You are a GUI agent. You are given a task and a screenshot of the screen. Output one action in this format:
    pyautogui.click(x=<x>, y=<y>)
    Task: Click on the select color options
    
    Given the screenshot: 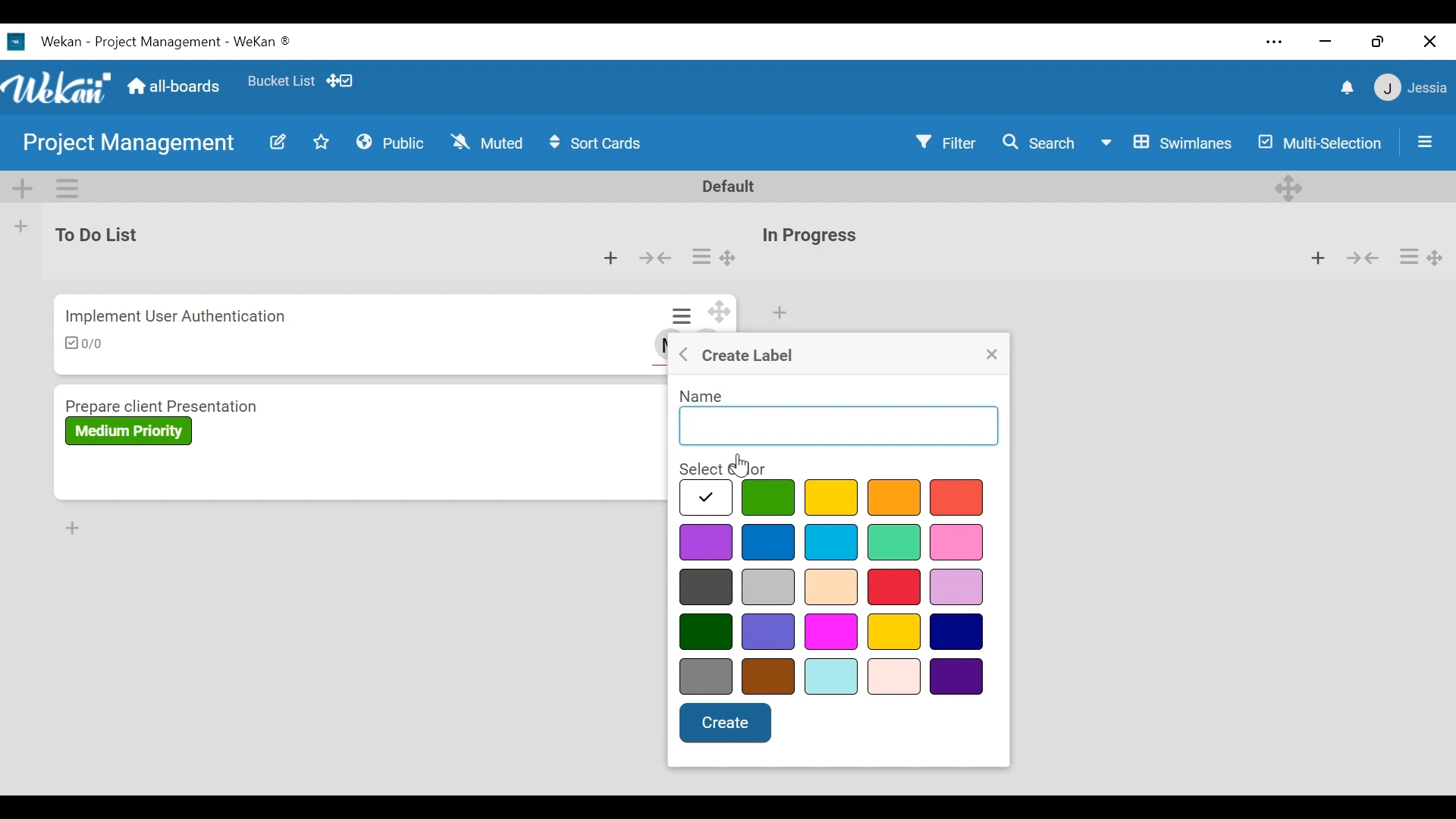 What is the action you would take?
    pyautogui.click(x=832, y=587)
    